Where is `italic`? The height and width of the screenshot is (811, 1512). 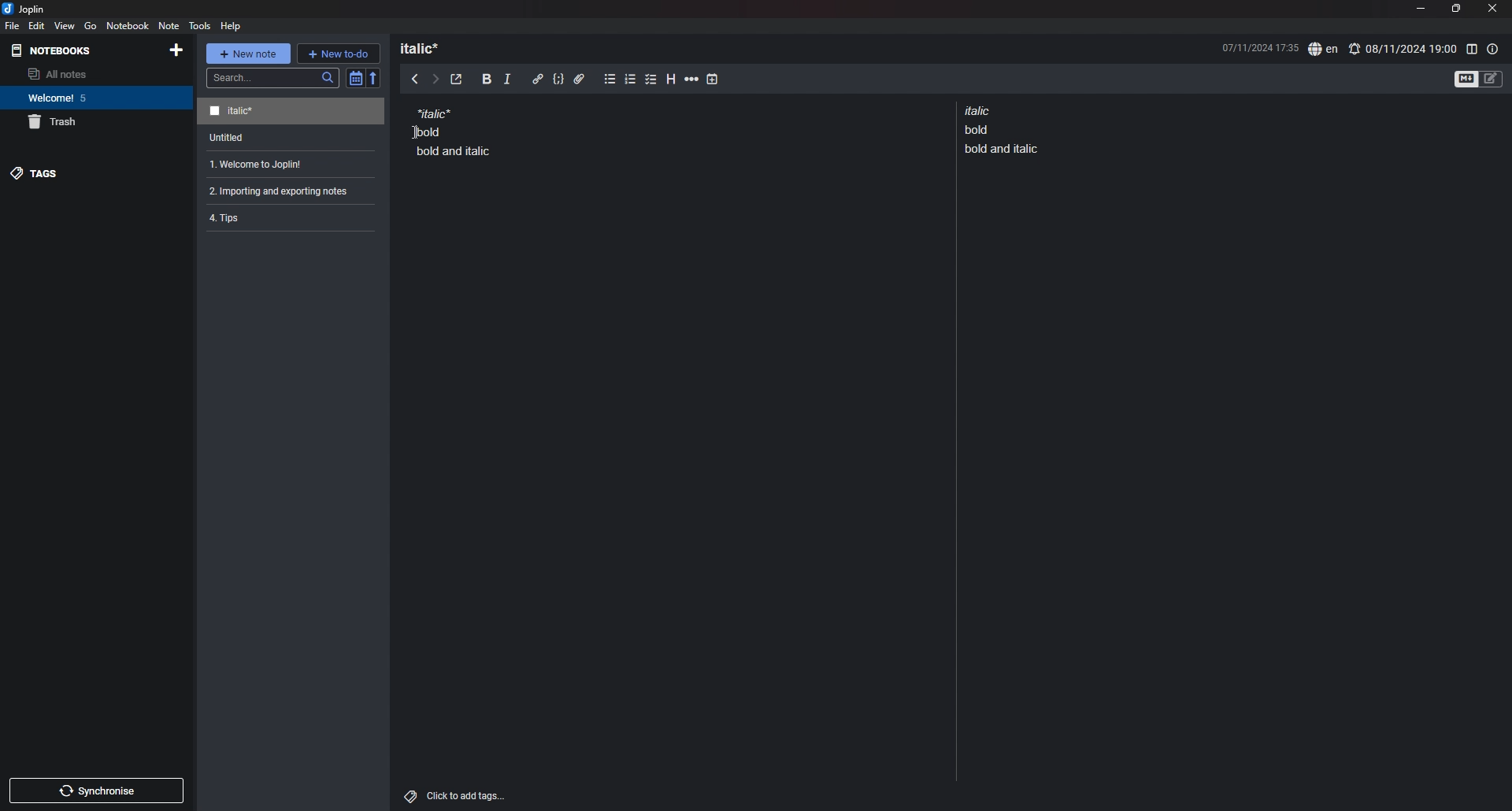 italic is located at coordinates (507, 82).